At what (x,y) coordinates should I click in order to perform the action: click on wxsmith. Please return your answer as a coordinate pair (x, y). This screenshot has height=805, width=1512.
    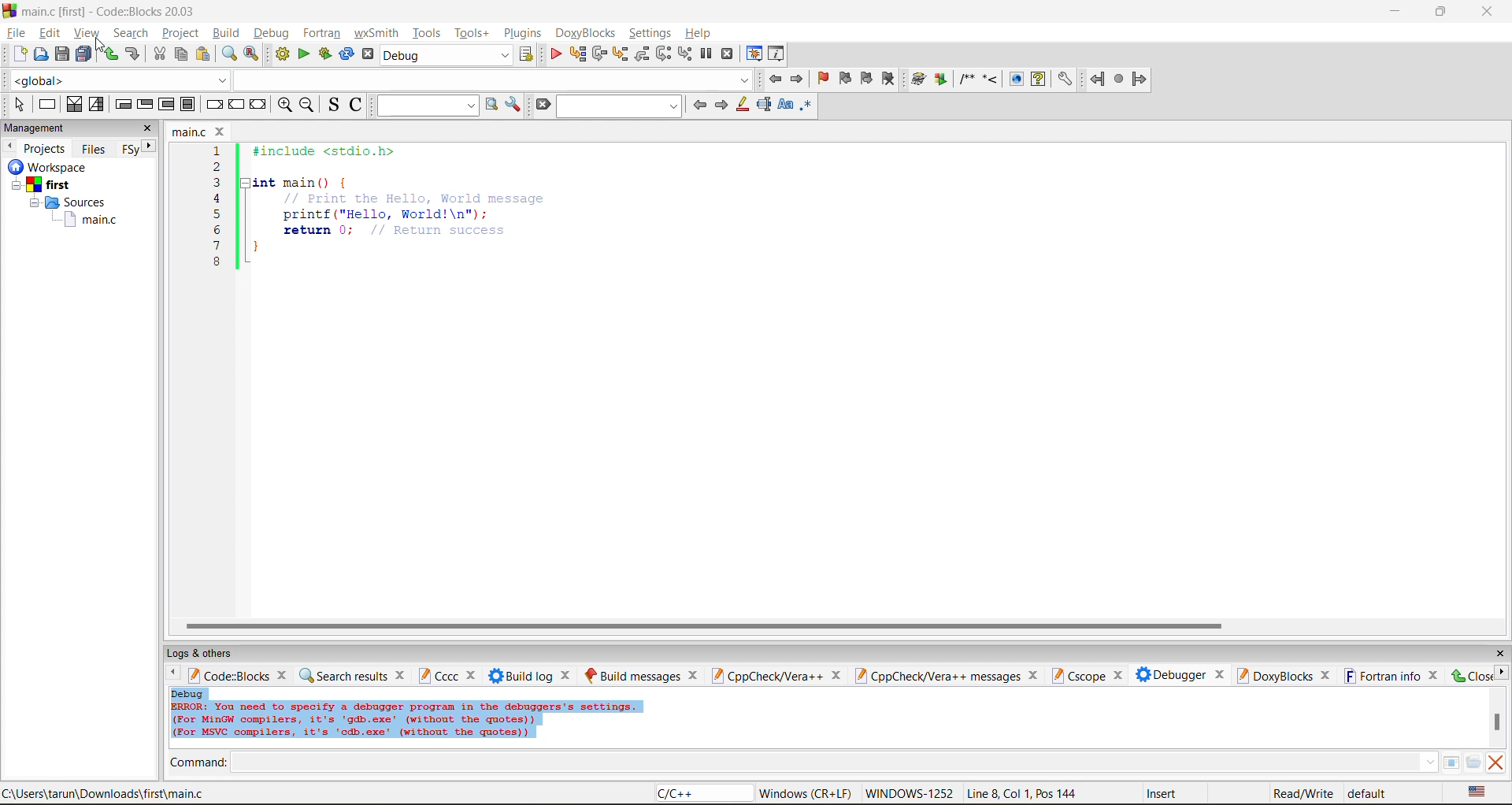
    Looking at the image, I should click on (376, 33).